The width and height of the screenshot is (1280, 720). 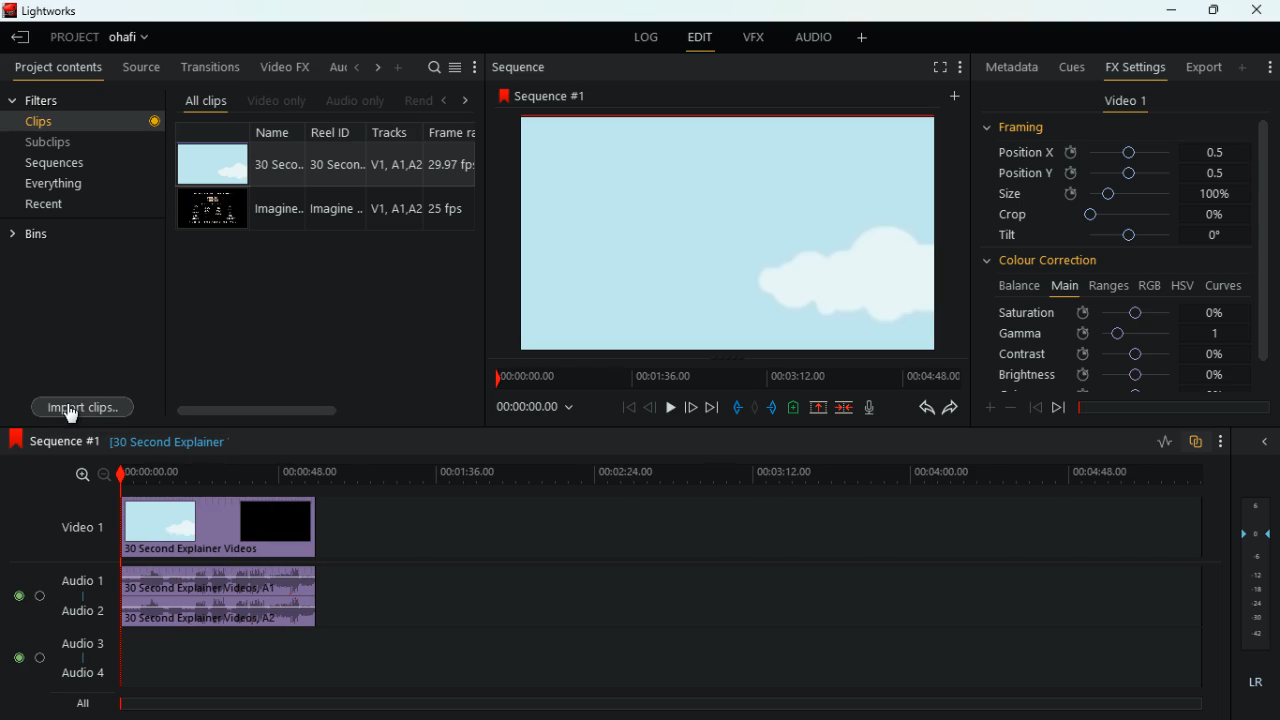 What do you see at coordinates (352, 100) in the screenshot?
I see `audio` at bounding box center [352, 100].